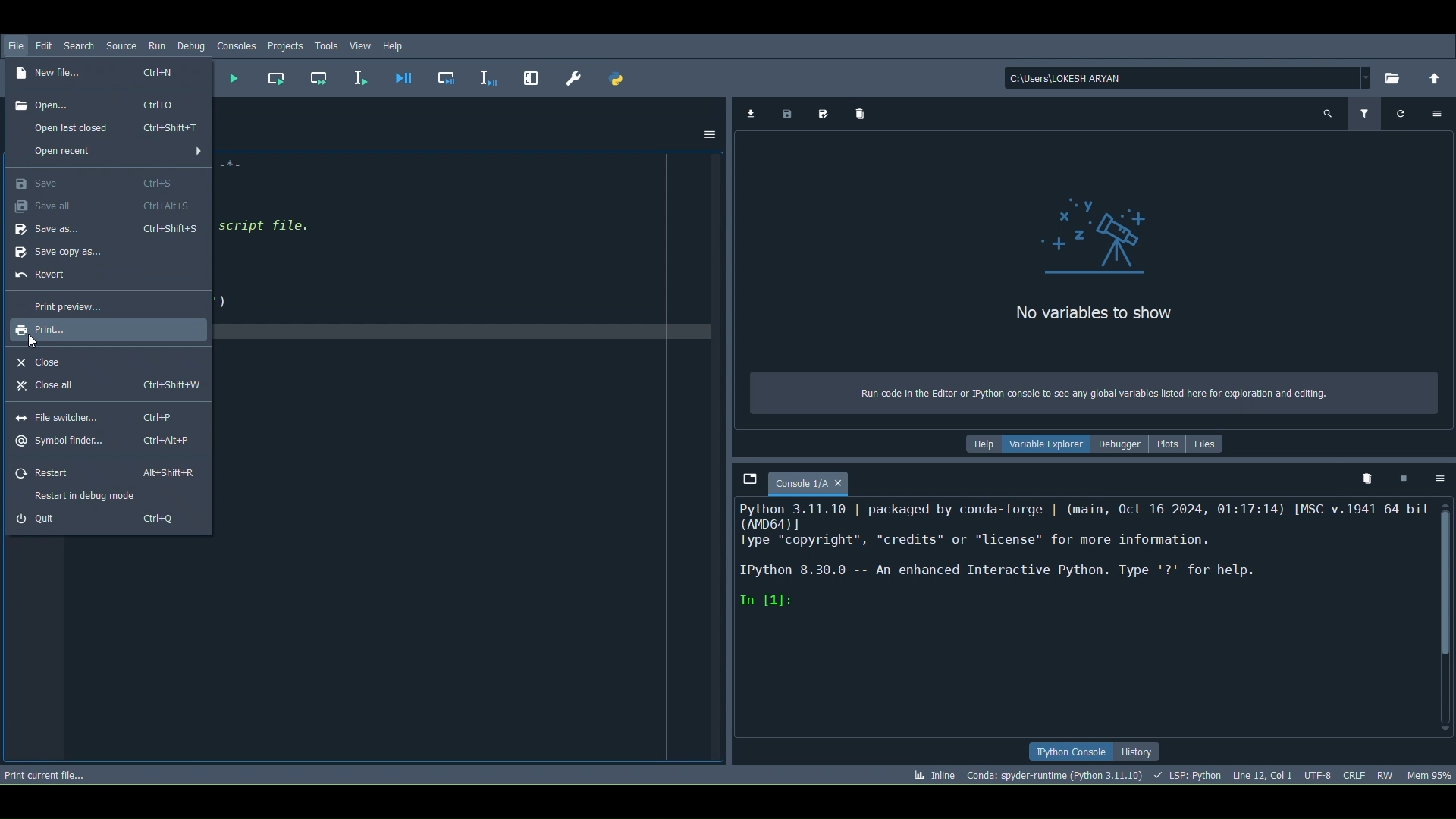  What do you see at coordinates (1264, 777) in the screenshot?
I see `Cursor` at bounding box center [1264, 777].